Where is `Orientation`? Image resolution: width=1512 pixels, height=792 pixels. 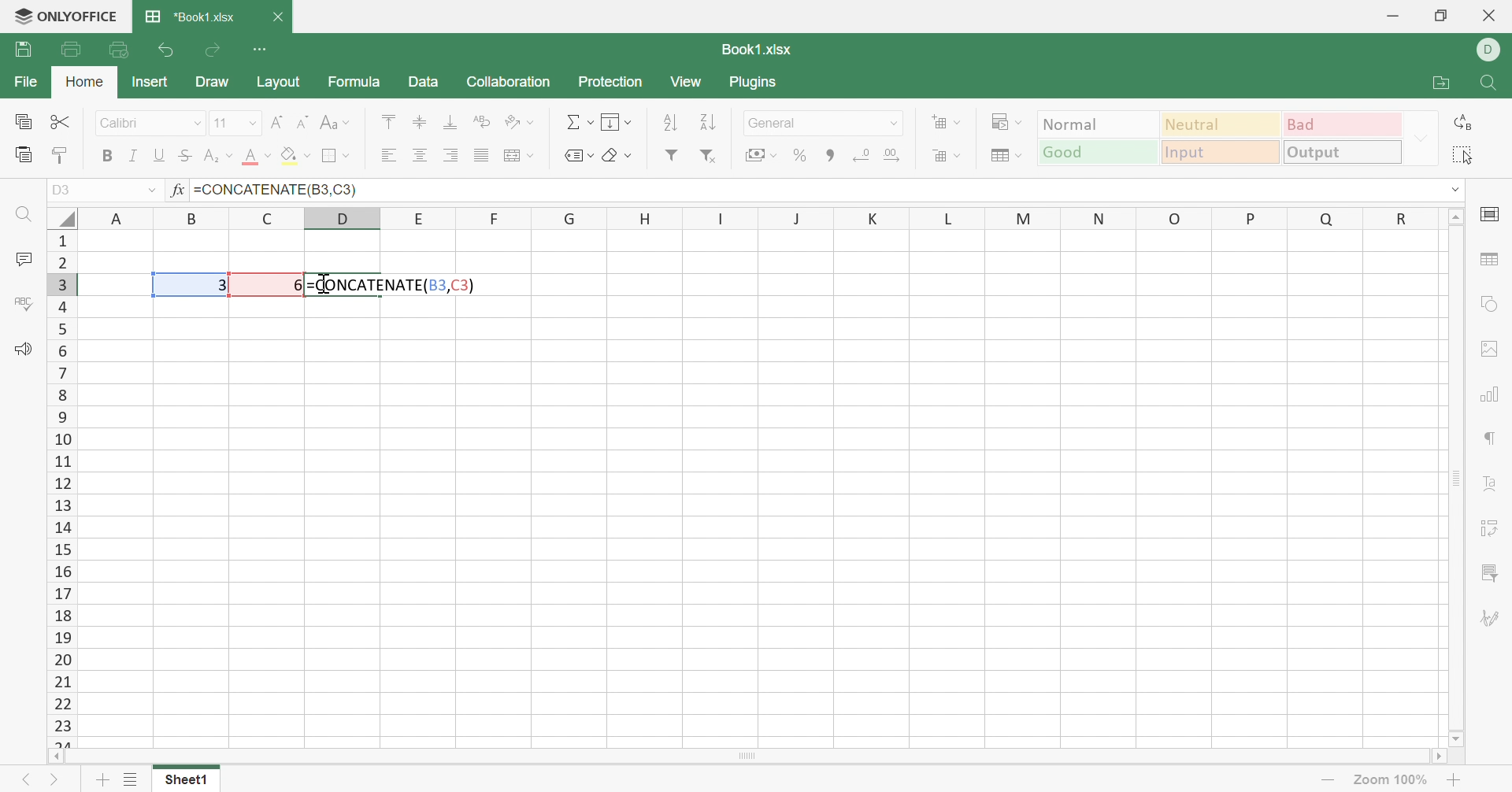
Orientation is located at coordinates (520, 121).